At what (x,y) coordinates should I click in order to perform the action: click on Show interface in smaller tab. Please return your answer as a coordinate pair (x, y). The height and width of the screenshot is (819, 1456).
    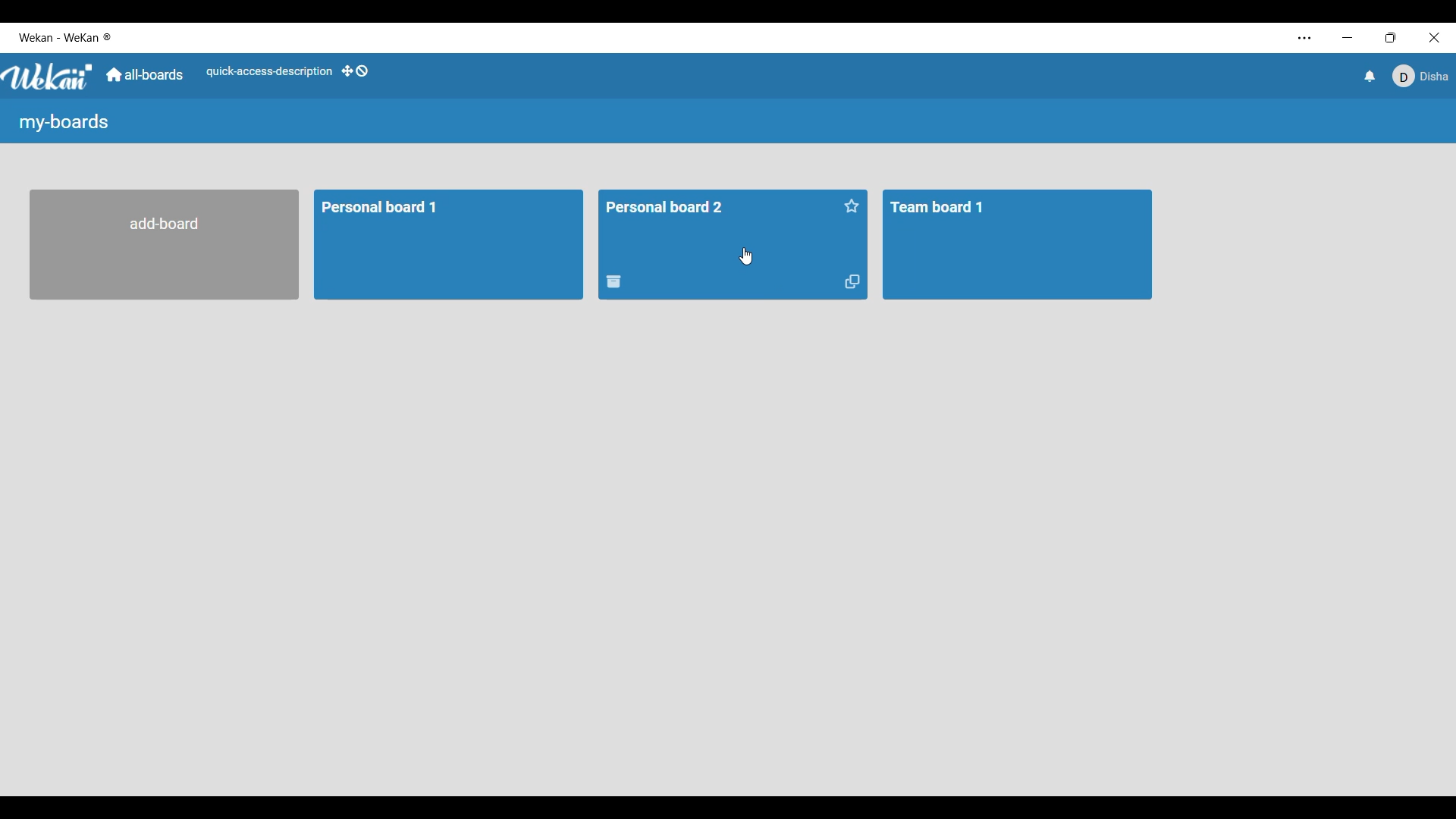
    Looking at the image, I should click on (1391, 38).